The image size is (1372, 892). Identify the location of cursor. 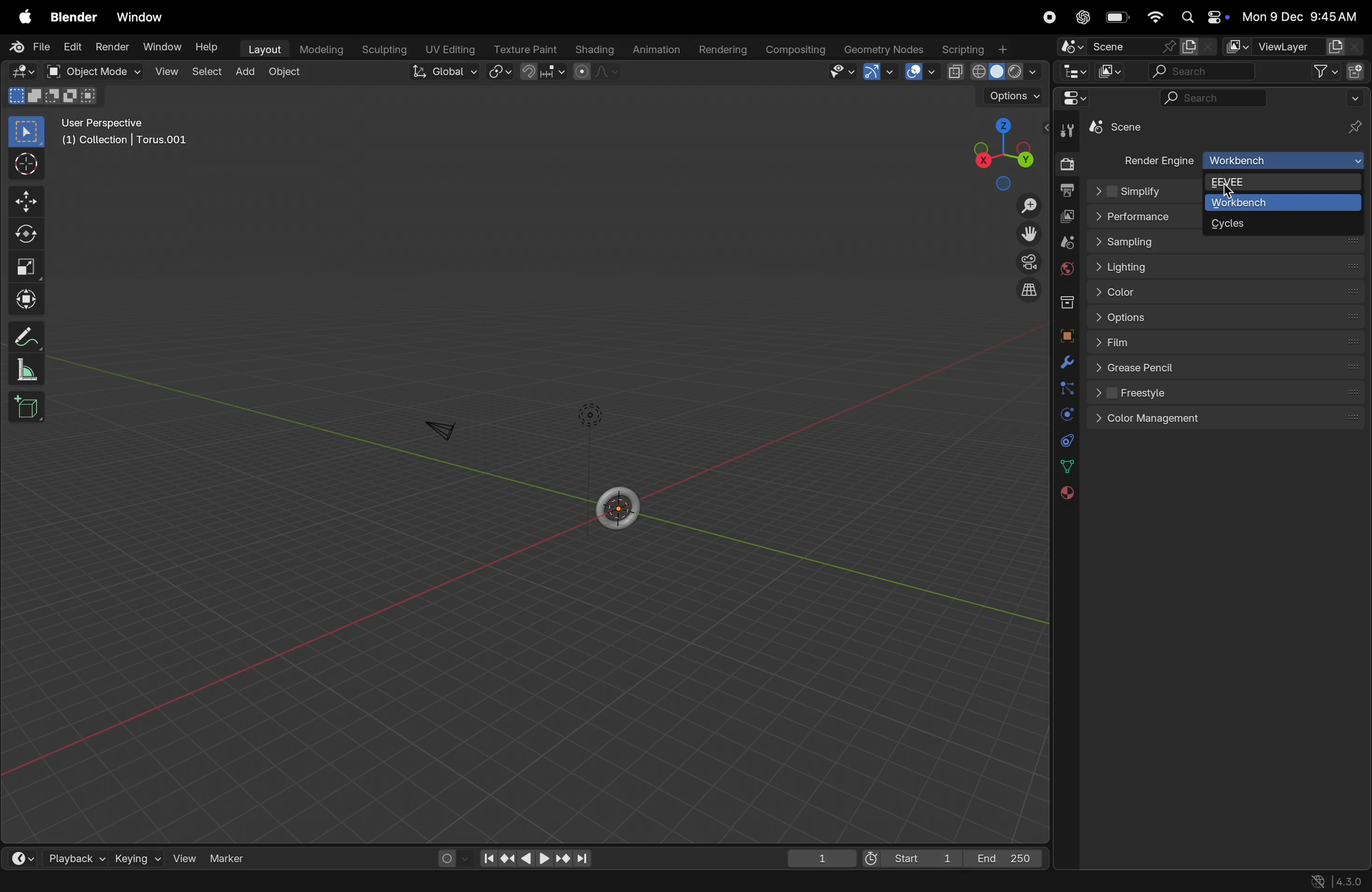
(1227, 191).